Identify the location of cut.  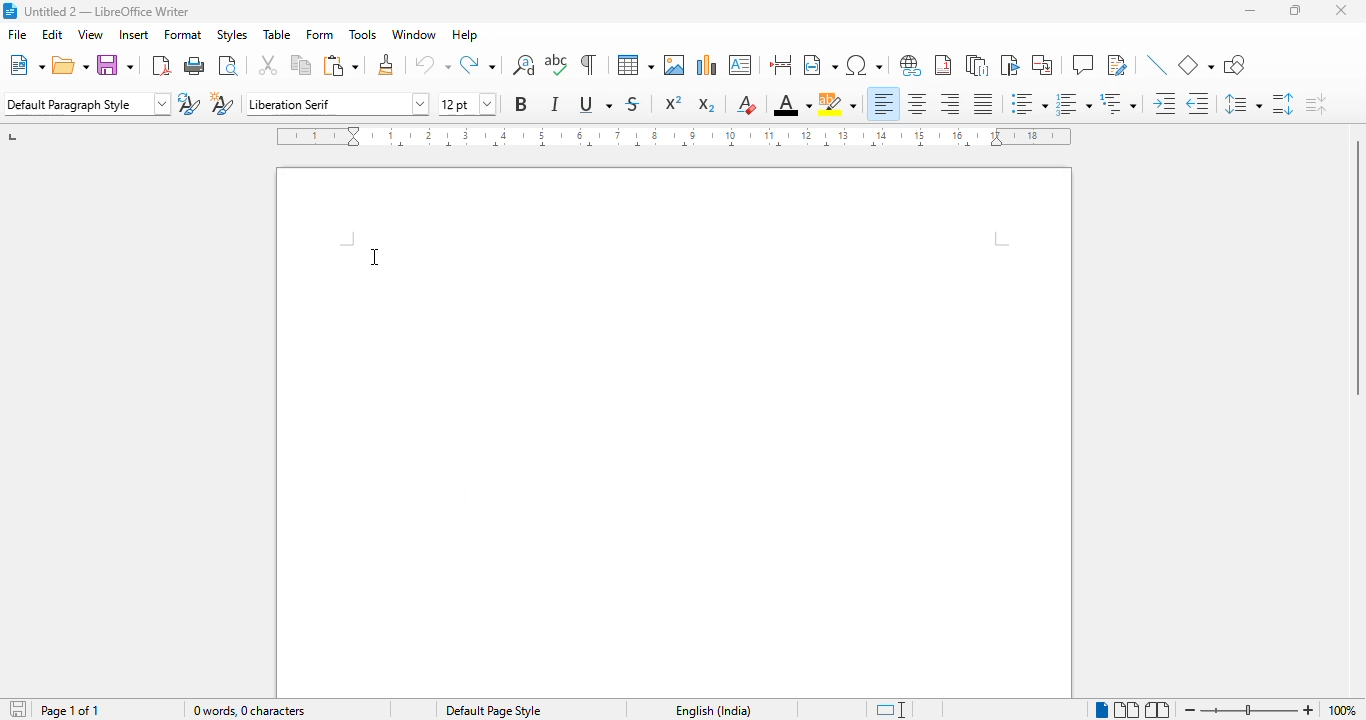
(269, 65).